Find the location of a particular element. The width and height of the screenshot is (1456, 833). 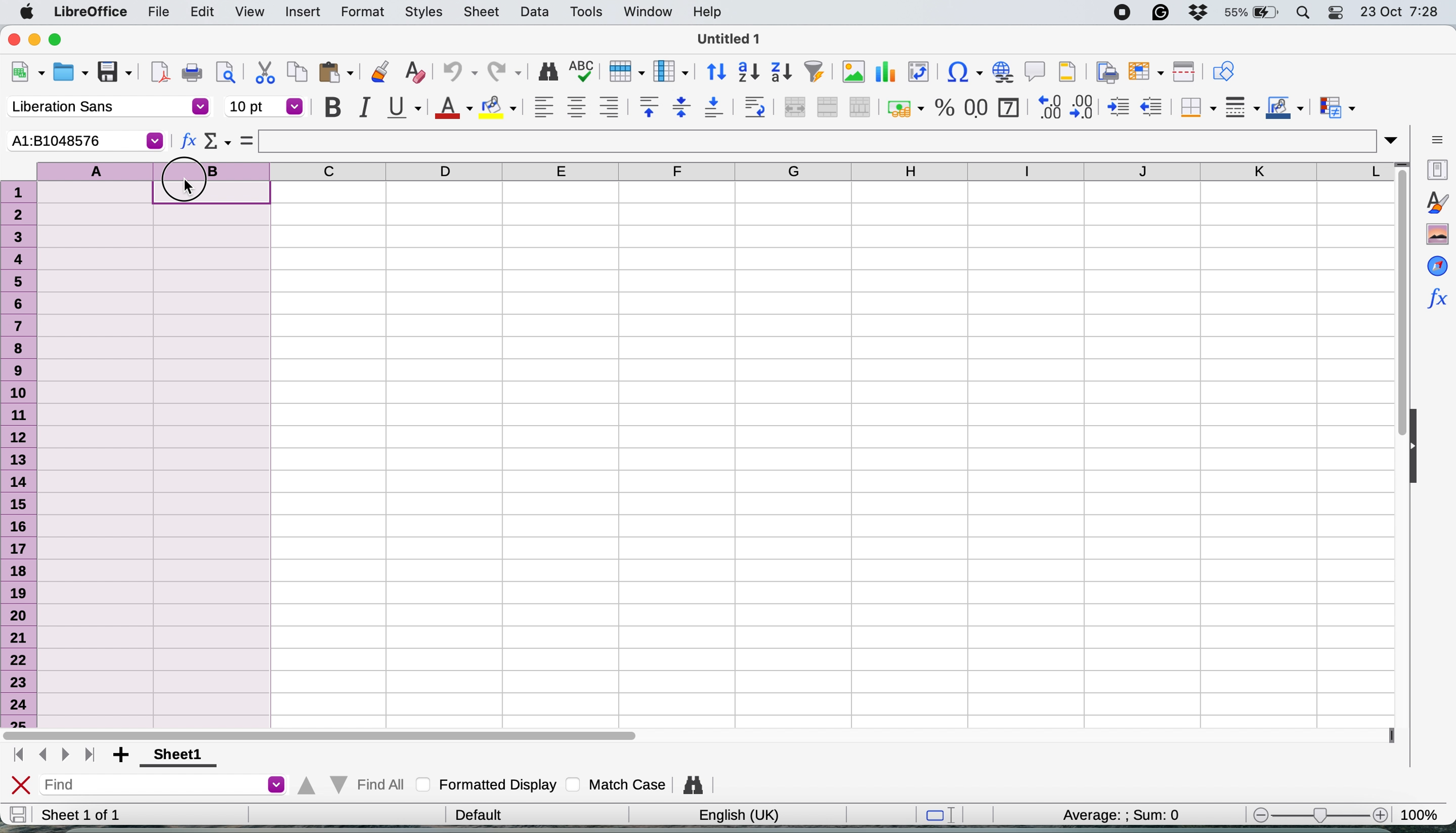

data is located at coordinates (535, 14).